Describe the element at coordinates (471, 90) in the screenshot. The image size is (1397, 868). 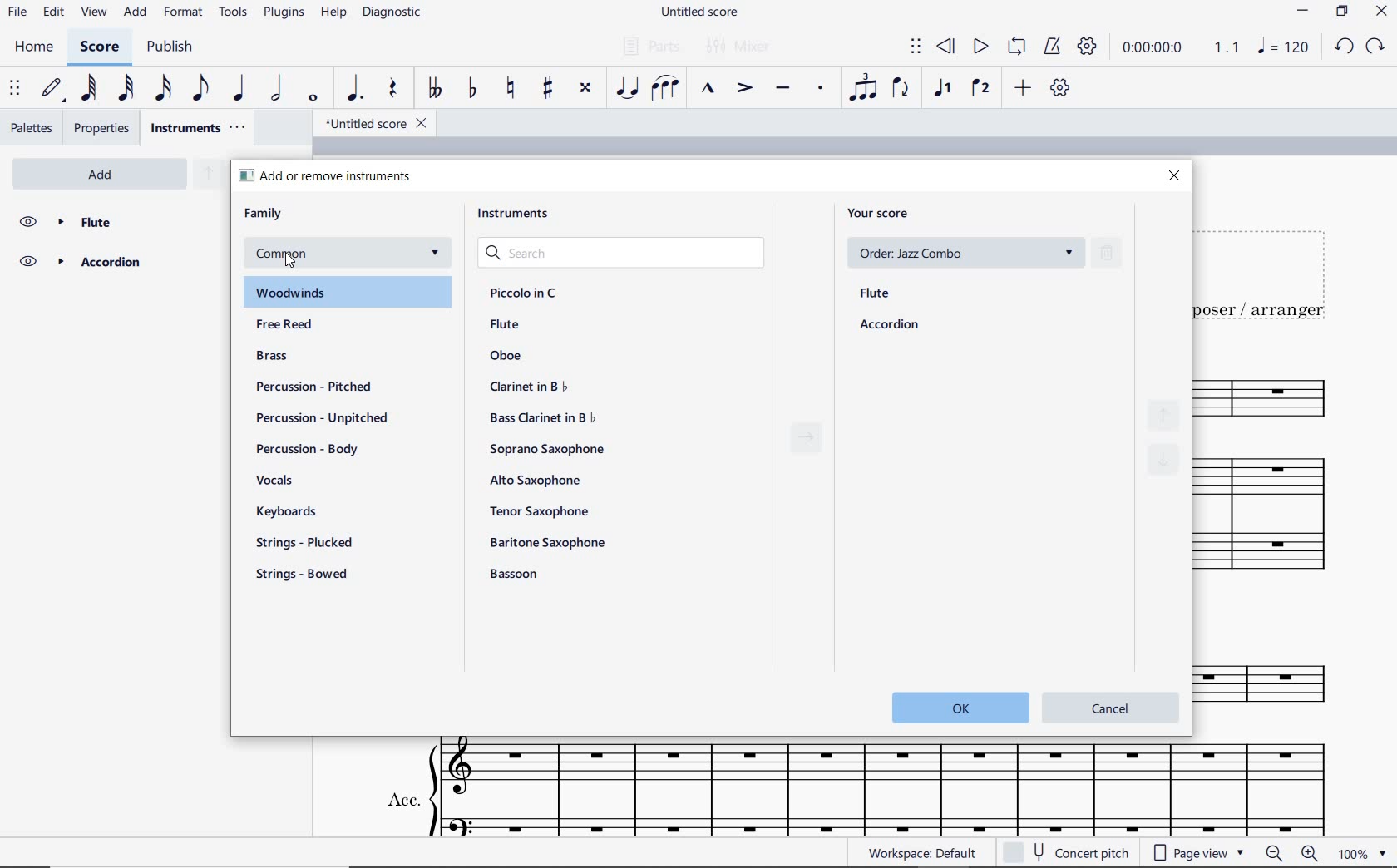
I see `toggle flat` at that location.